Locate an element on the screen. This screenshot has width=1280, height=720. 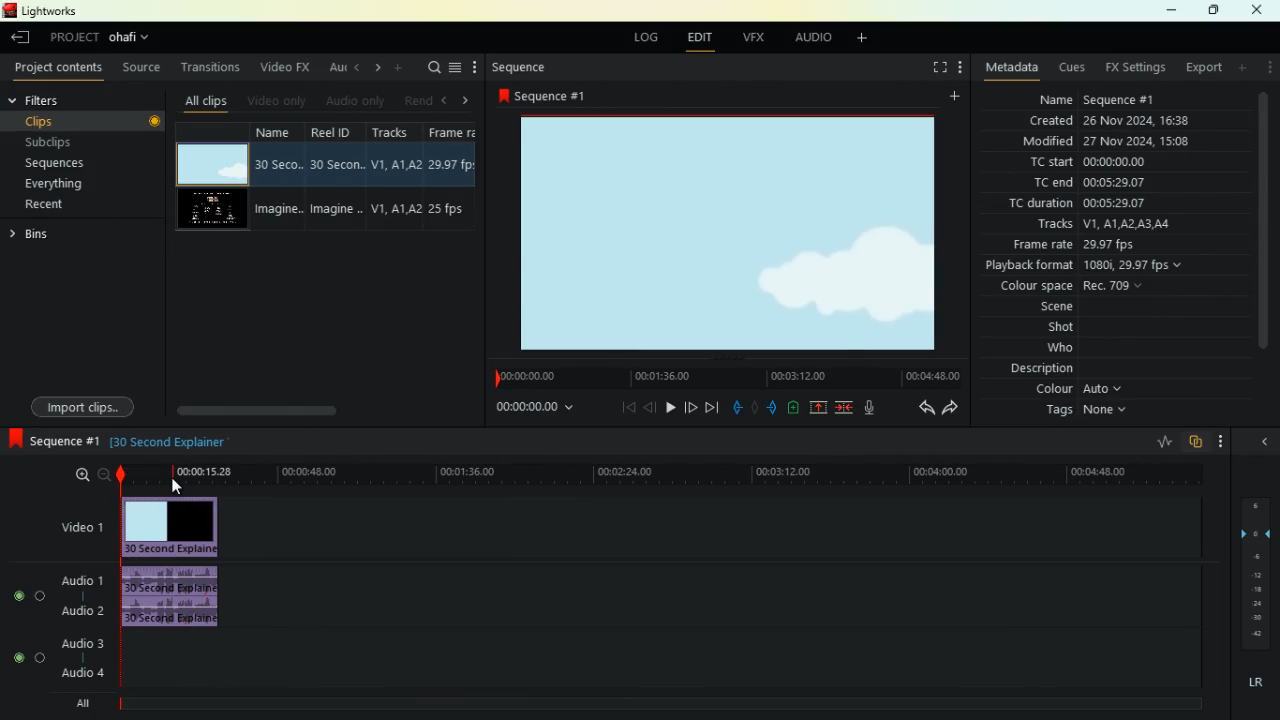
created is located at coordinates (1054, 120).